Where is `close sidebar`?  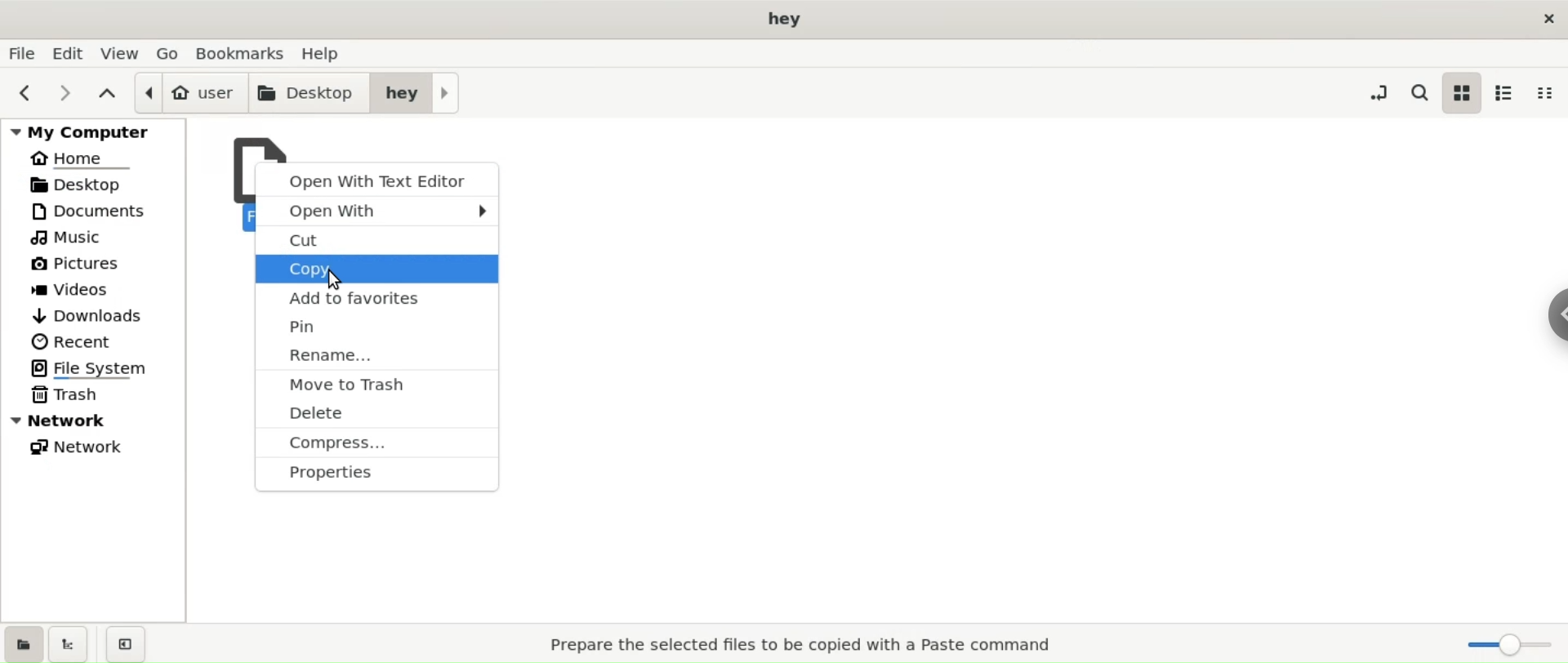 close sidebar is located at coordinates (122, 643).